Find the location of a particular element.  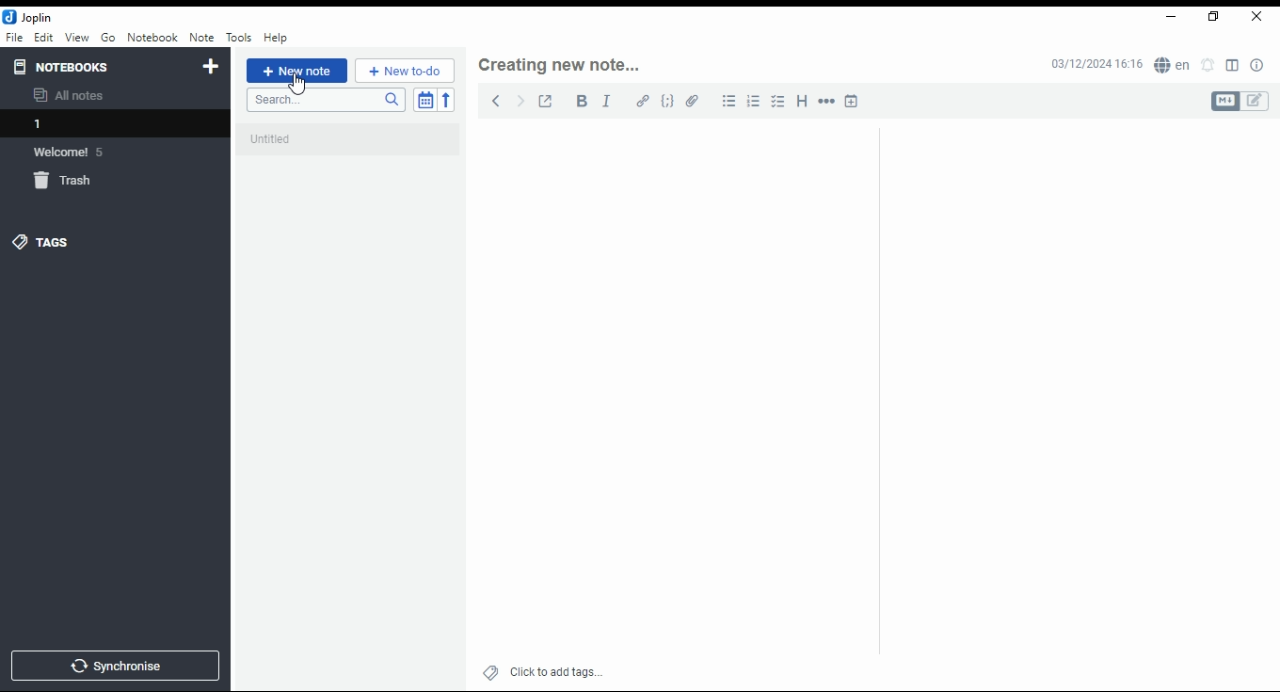

restore is located at coordinates (1216, 17).